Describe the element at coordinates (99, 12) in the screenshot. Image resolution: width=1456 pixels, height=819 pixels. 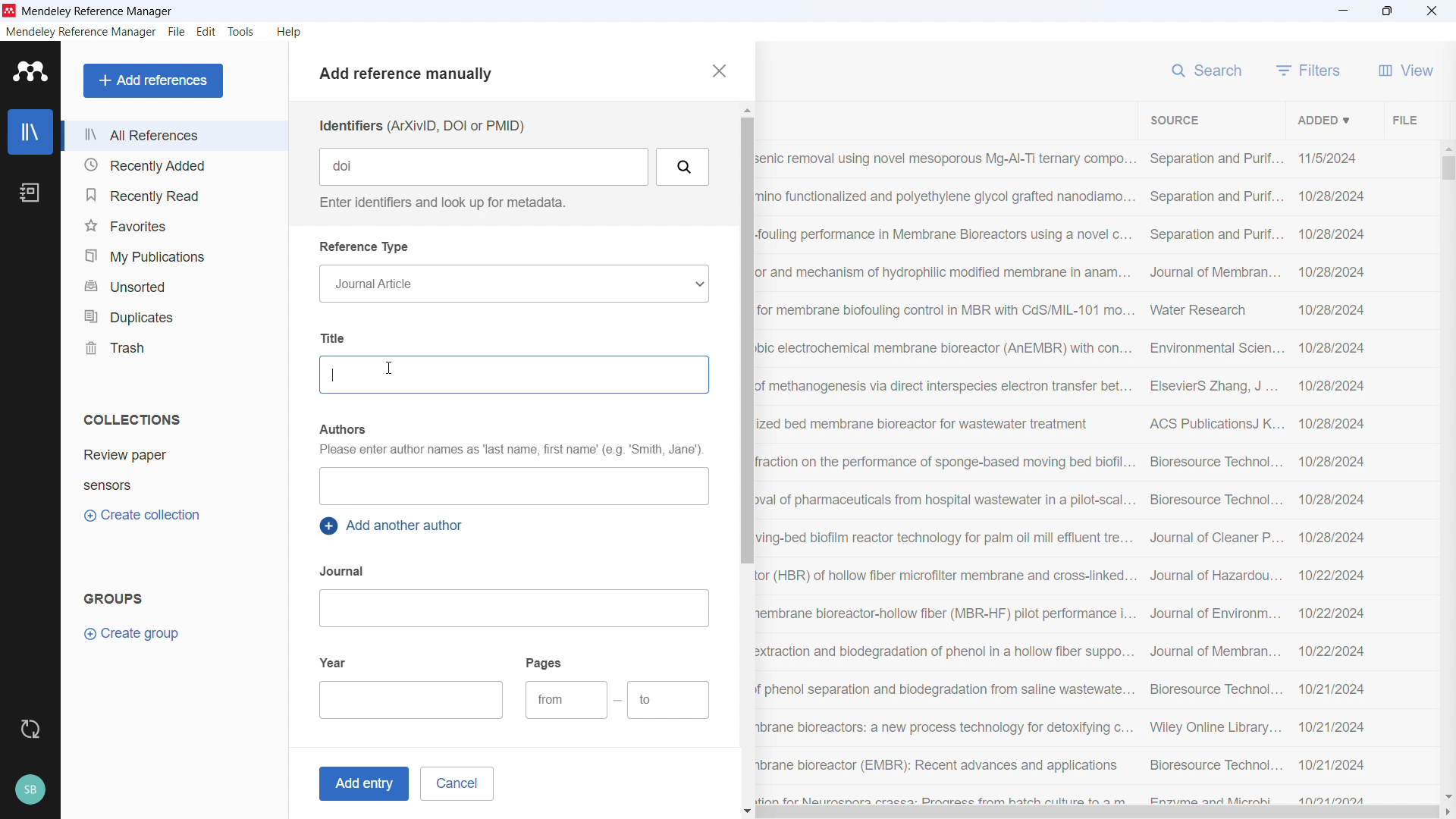
I see `title` at that location.